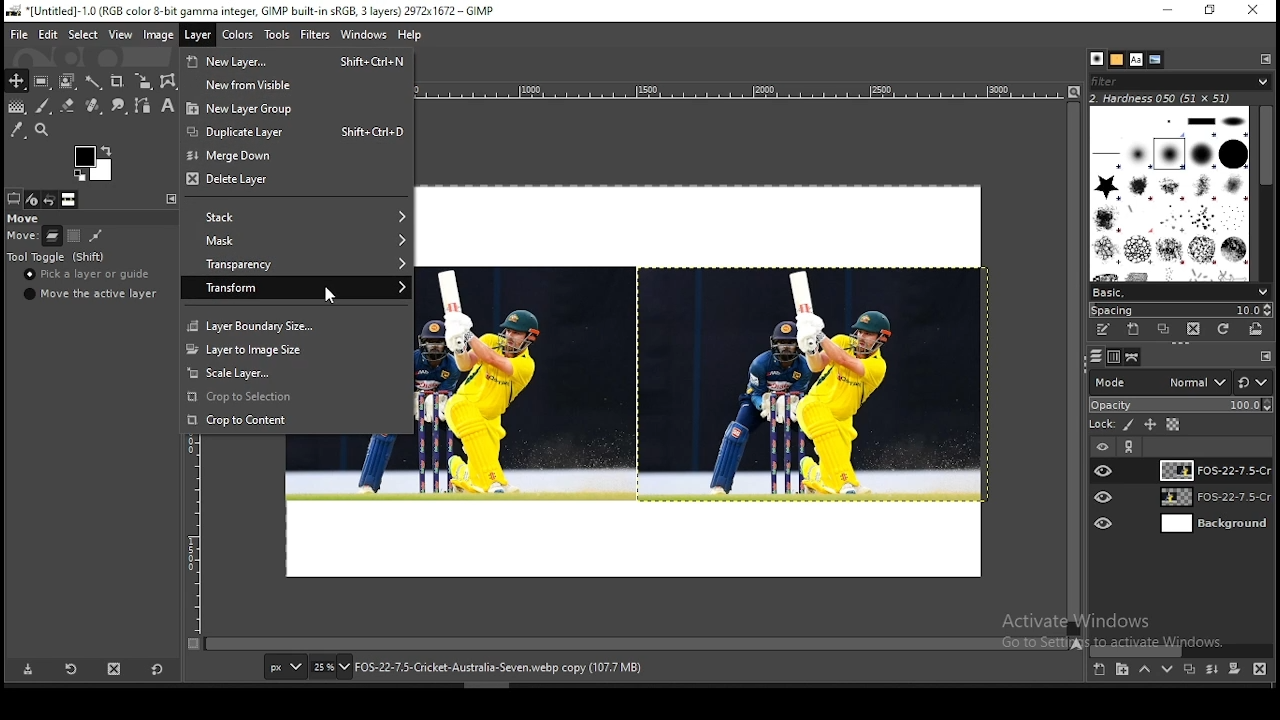  I want to click on text, so click(487, 668).